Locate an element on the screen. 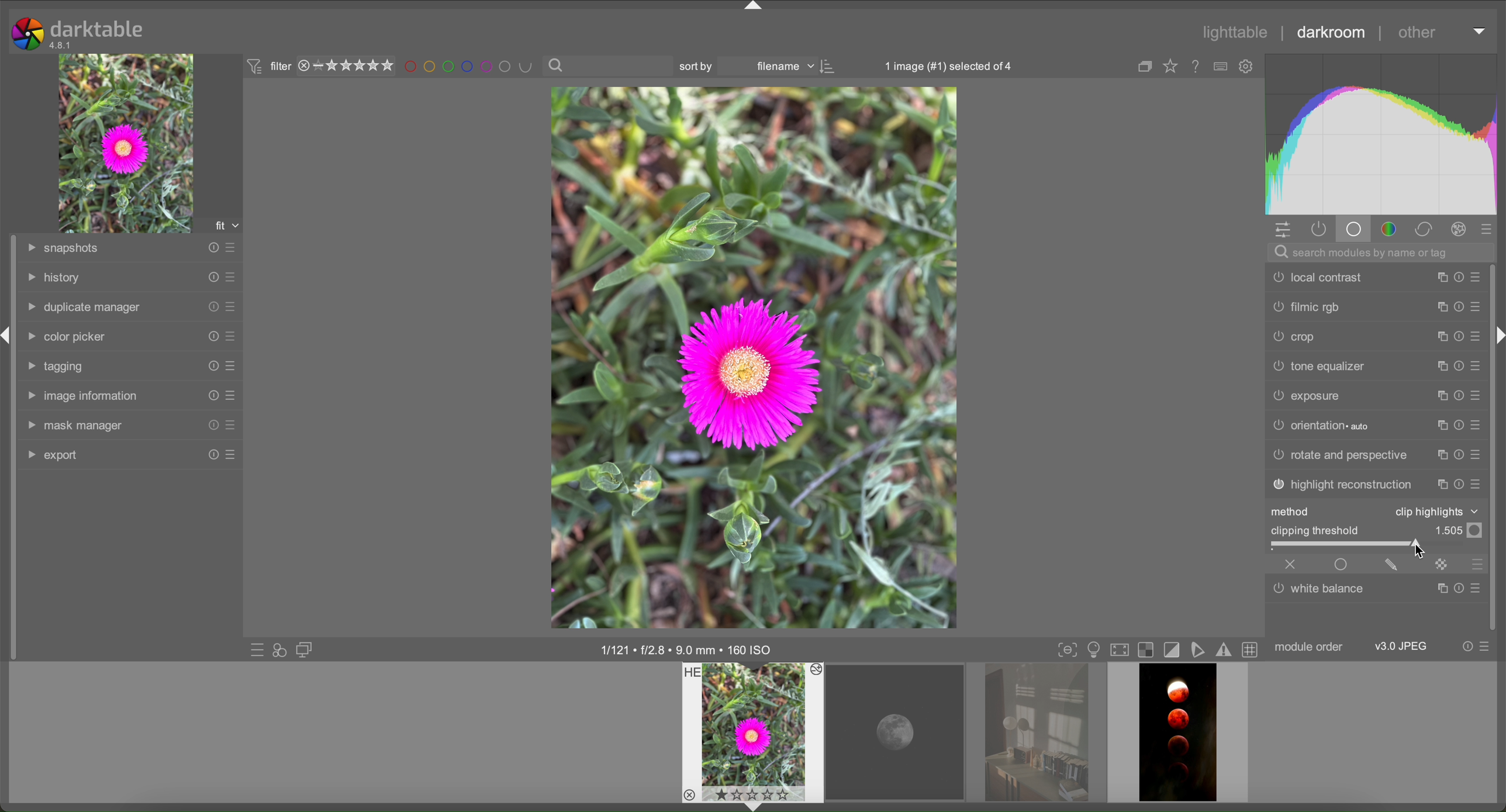  clipping threshold is located at coordinates (1315, 530).